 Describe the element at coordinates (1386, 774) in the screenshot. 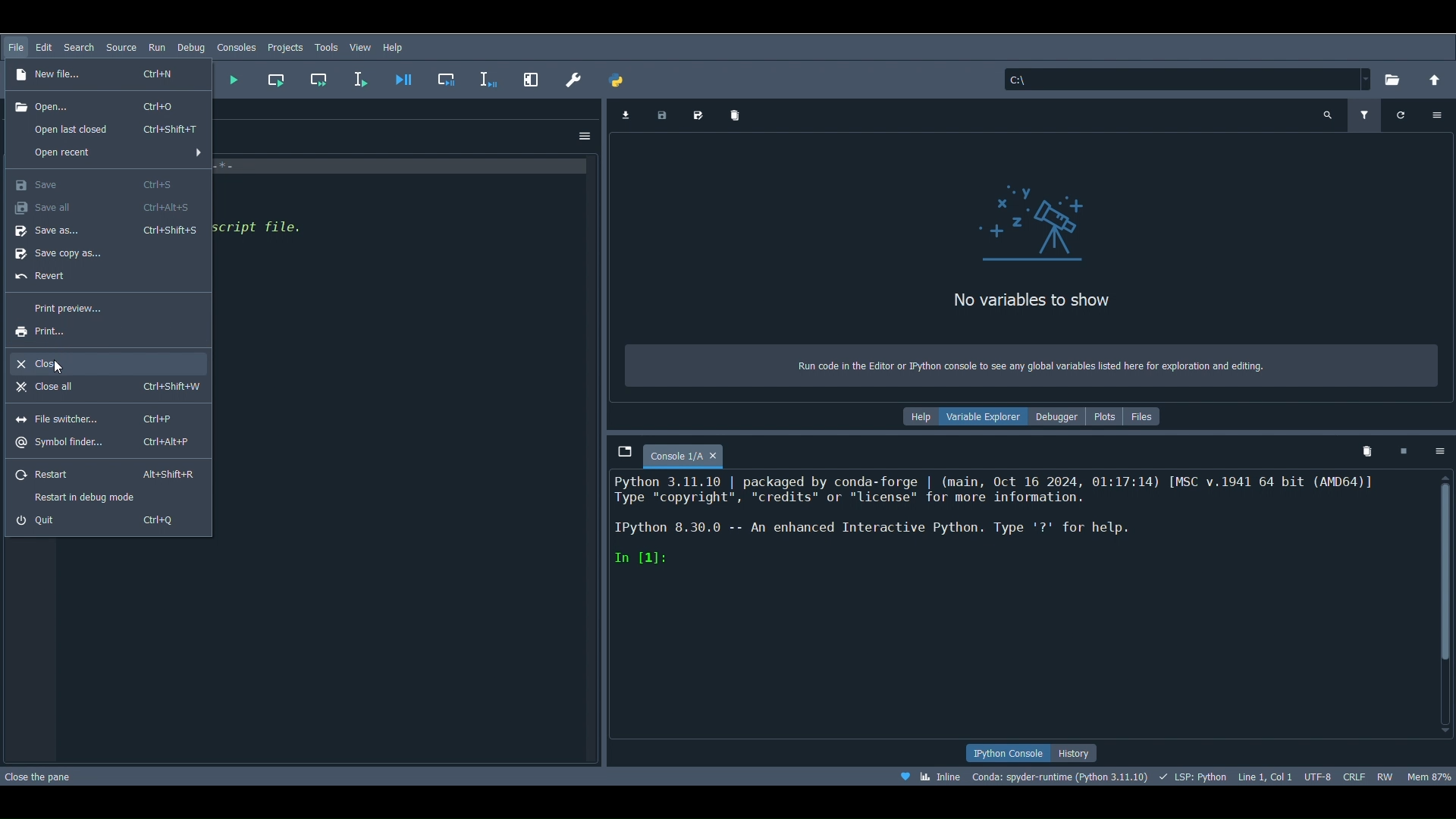

I see `File permissions` at that location.